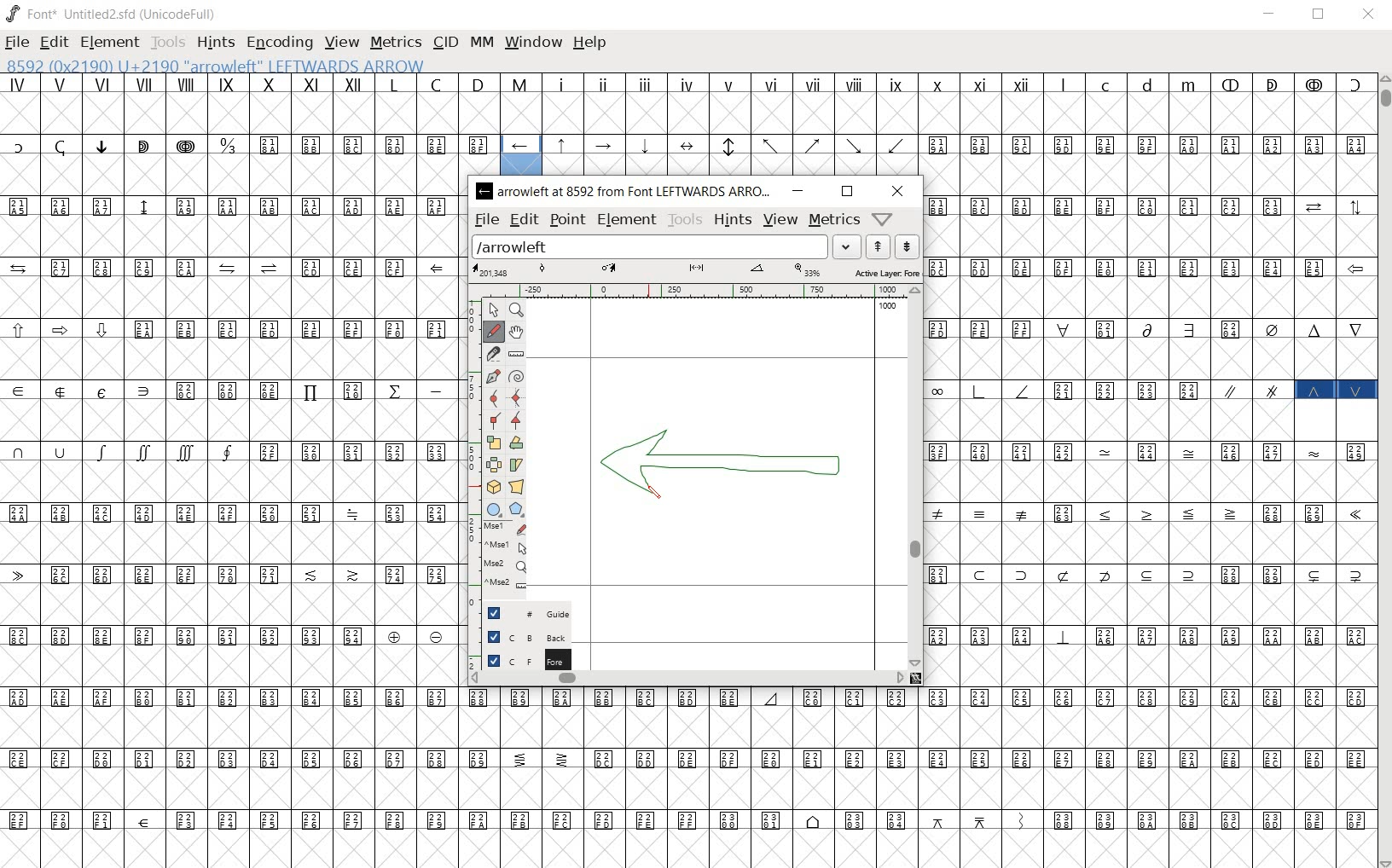 The width and height of the screenshot is (1392, 868). Describe the element at coordinates (520, 660) in the screenshot. I see `foreground layer` at that location.